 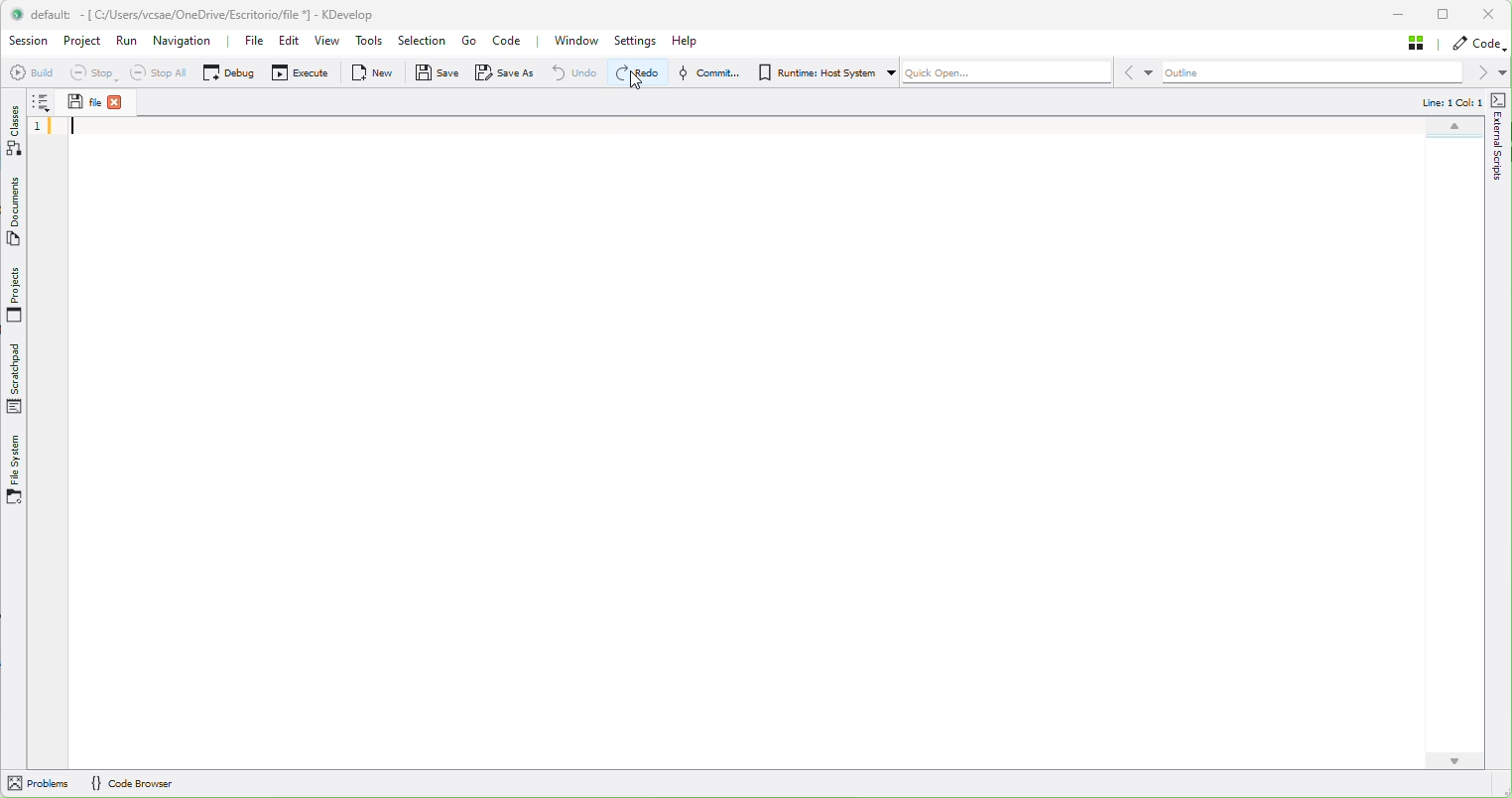 I want to click on Minimize, so click(x=1401, y=14).